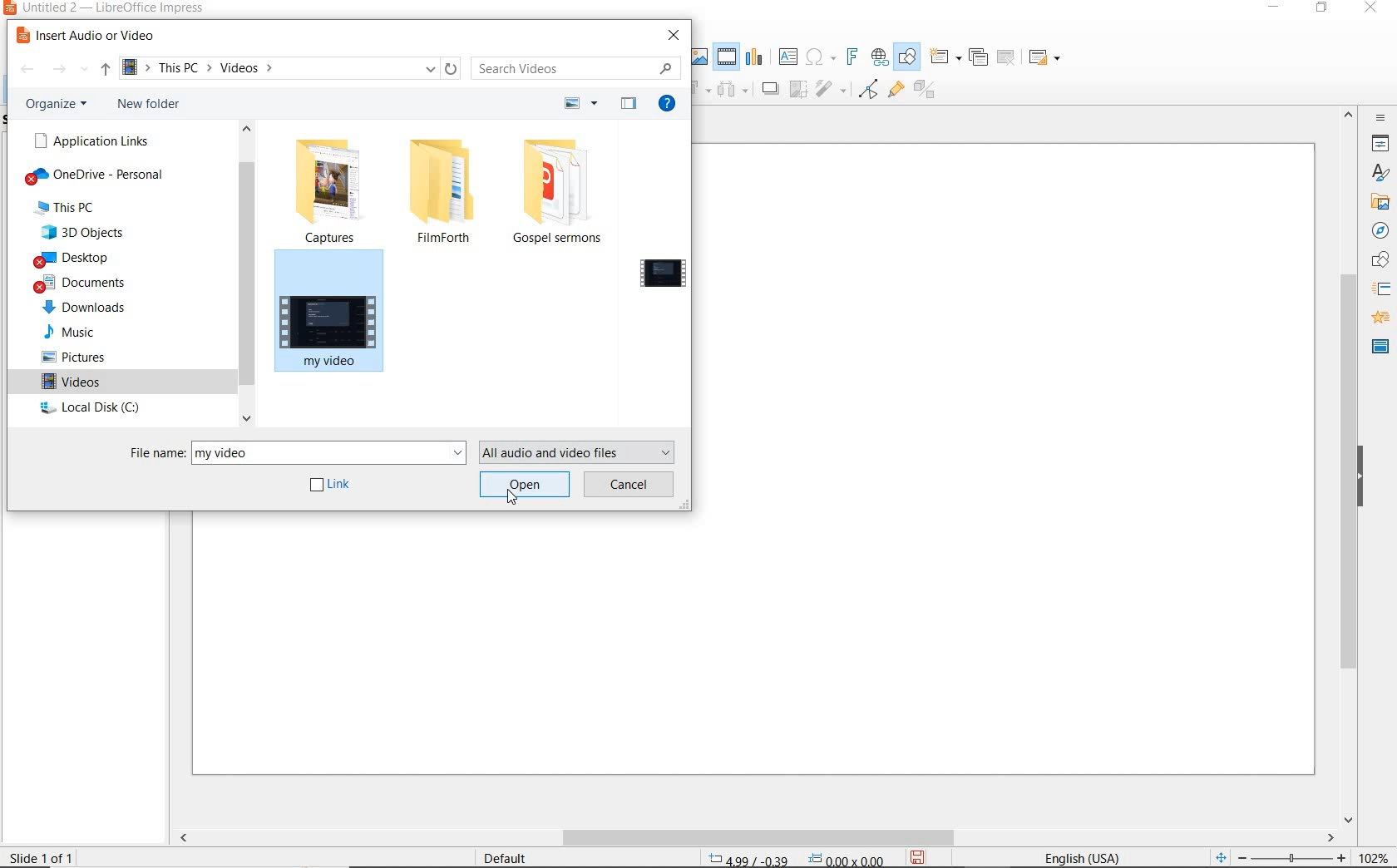 Image resolution: width=1397 pixels, height=868 pixels. Describe the element at coordinates (580, 67) in the screenshot. I see `SEARCH VIDEO` at that location.